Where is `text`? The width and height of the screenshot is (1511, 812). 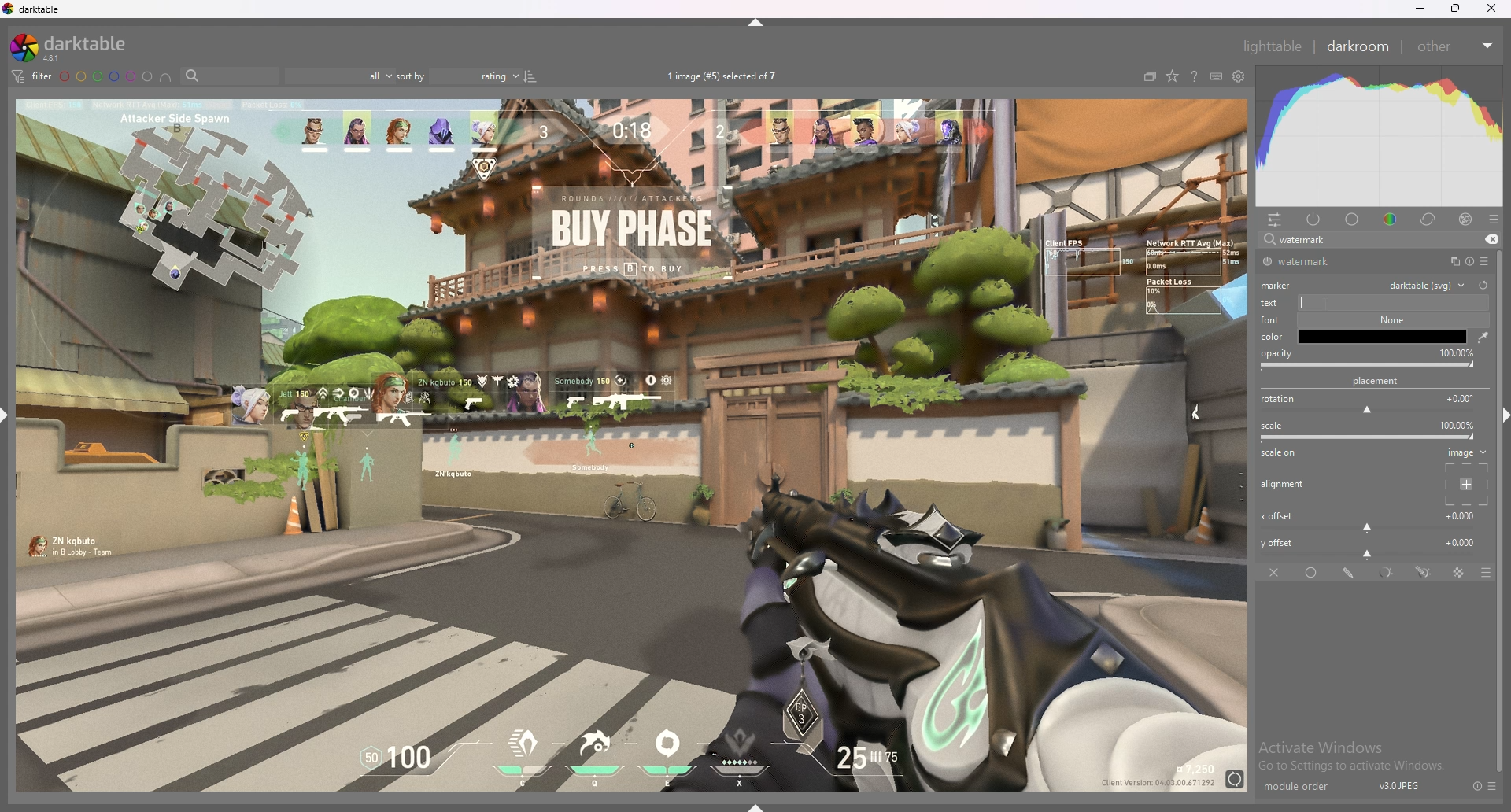 text is located at coordinates (1372, 303).